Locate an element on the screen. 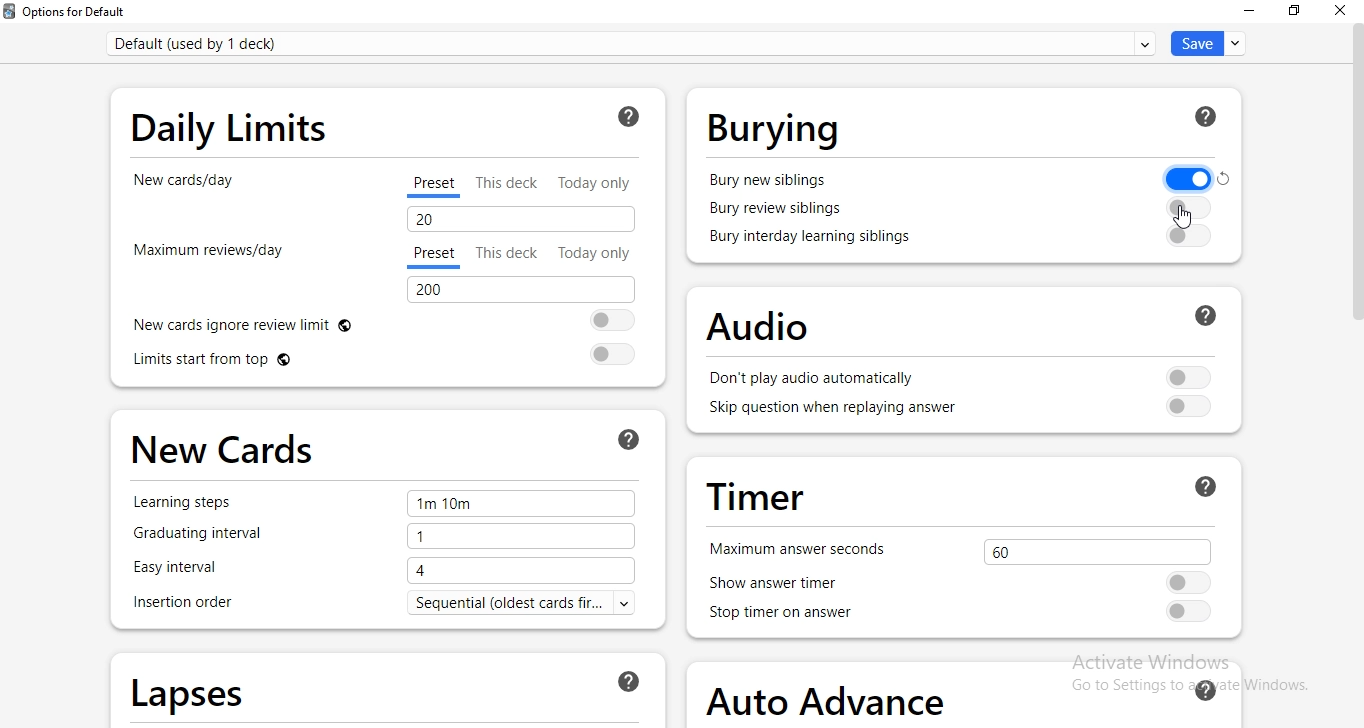  1 is located at coordinates (519, 537).